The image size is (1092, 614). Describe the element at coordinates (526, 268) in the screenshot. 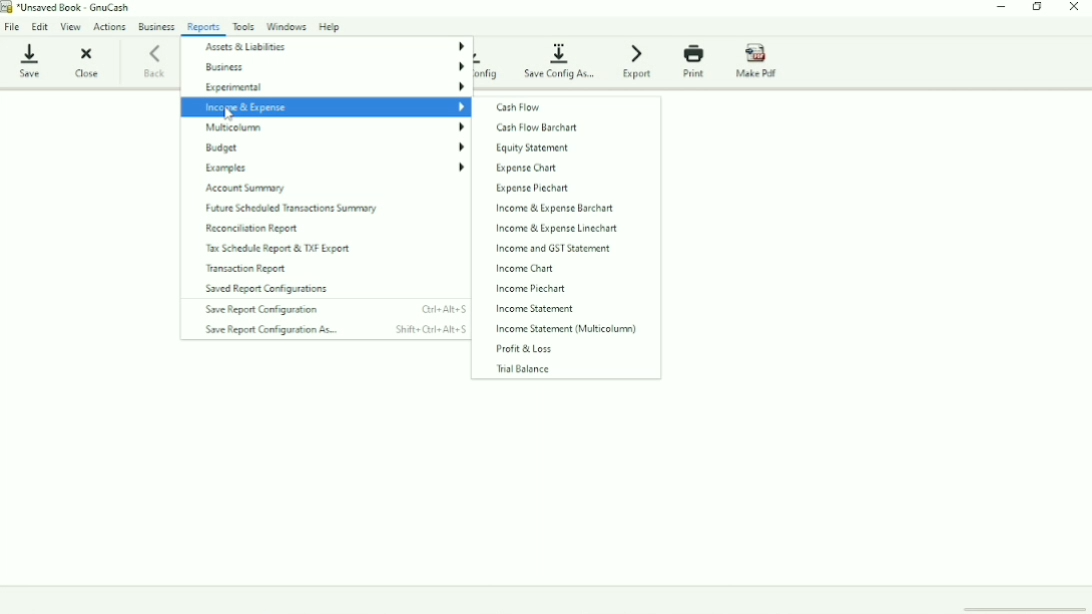

I see `Income Chart` at that location.